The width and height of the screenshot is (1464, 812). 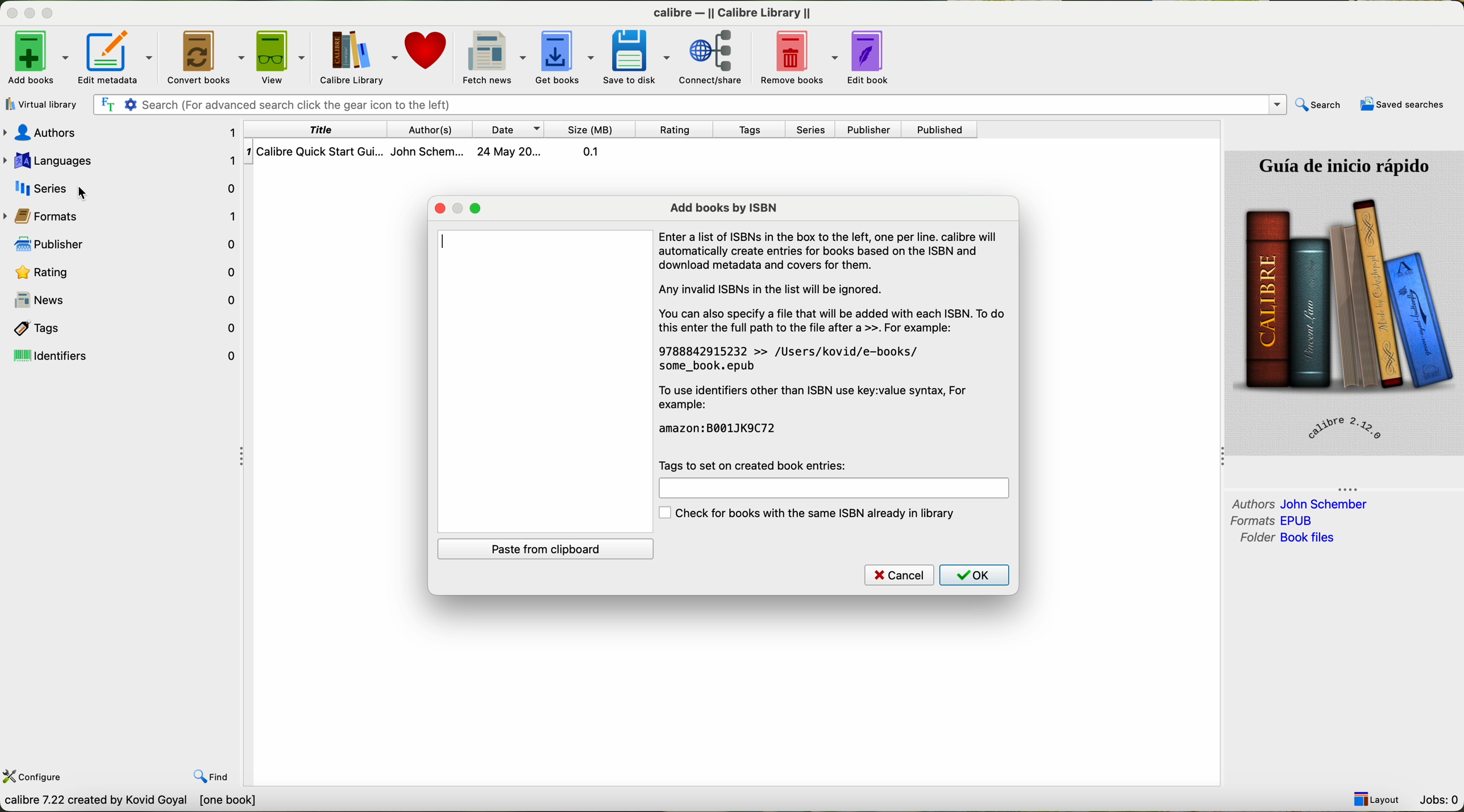 I want to click on save to disk, so click(x=639, y=56).